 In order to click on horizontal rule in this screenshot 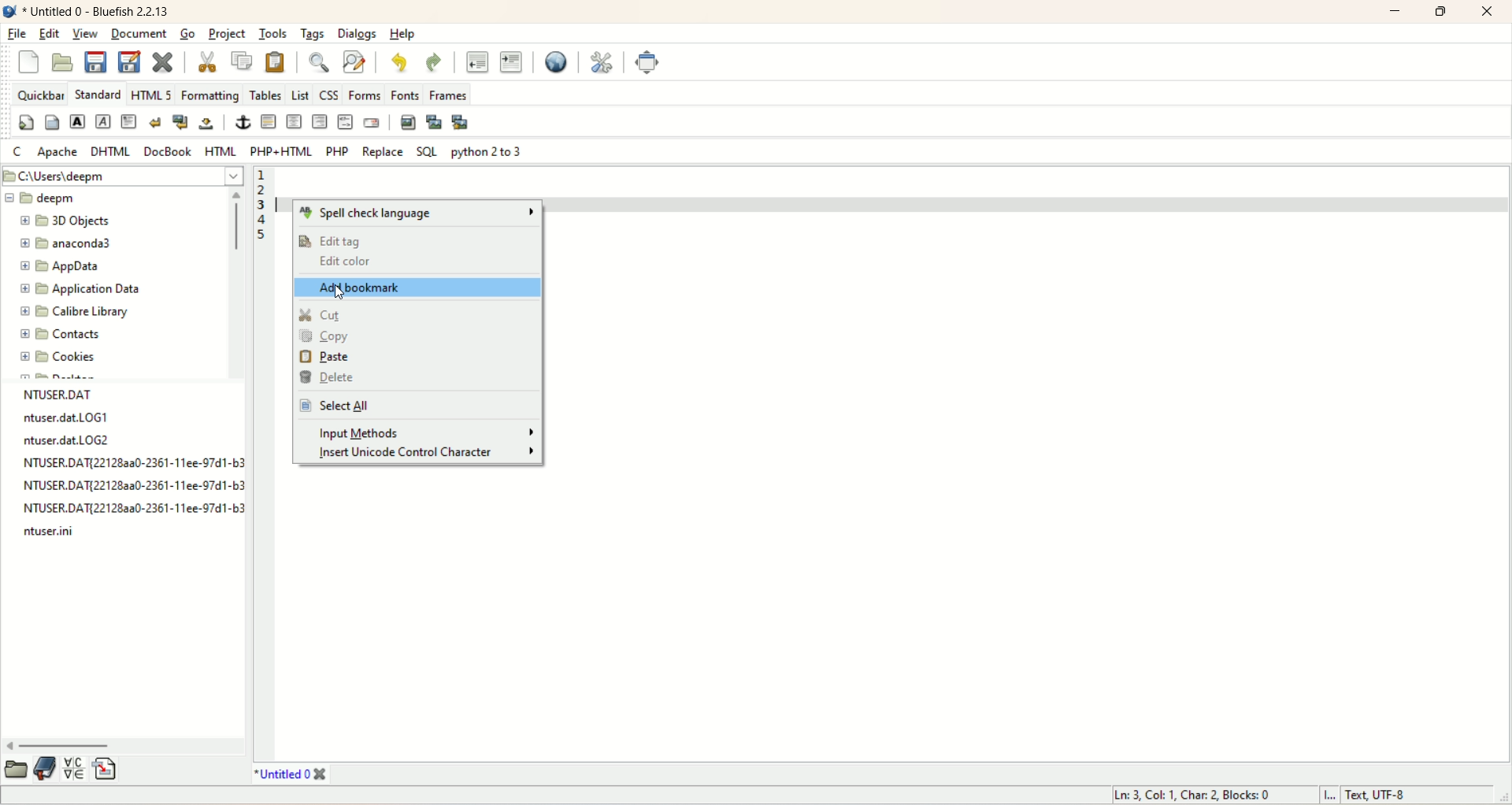, I will do `click(270, 124)`.